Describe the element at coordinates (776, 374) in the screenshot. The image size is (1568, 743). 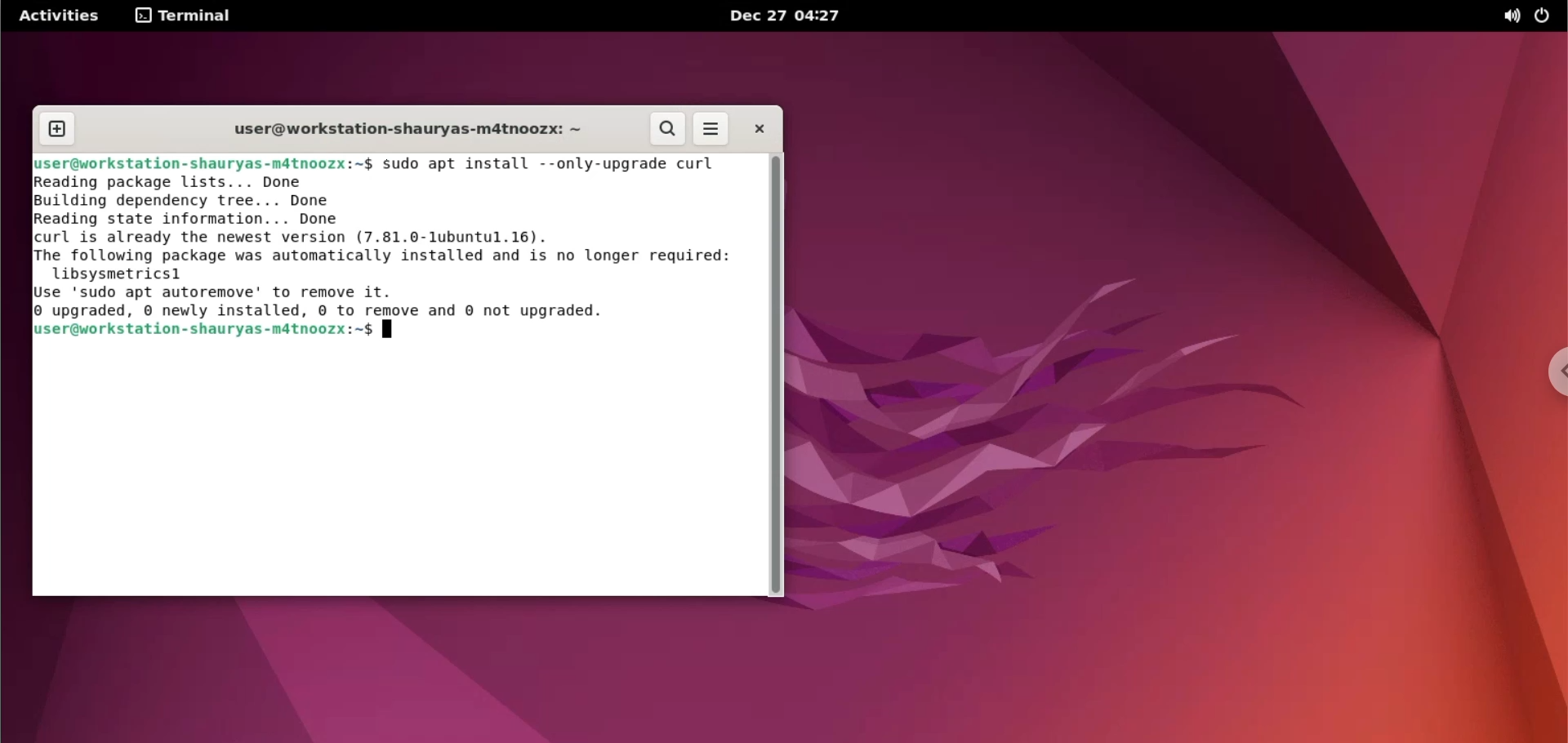
I see `scrollbar` at that location.